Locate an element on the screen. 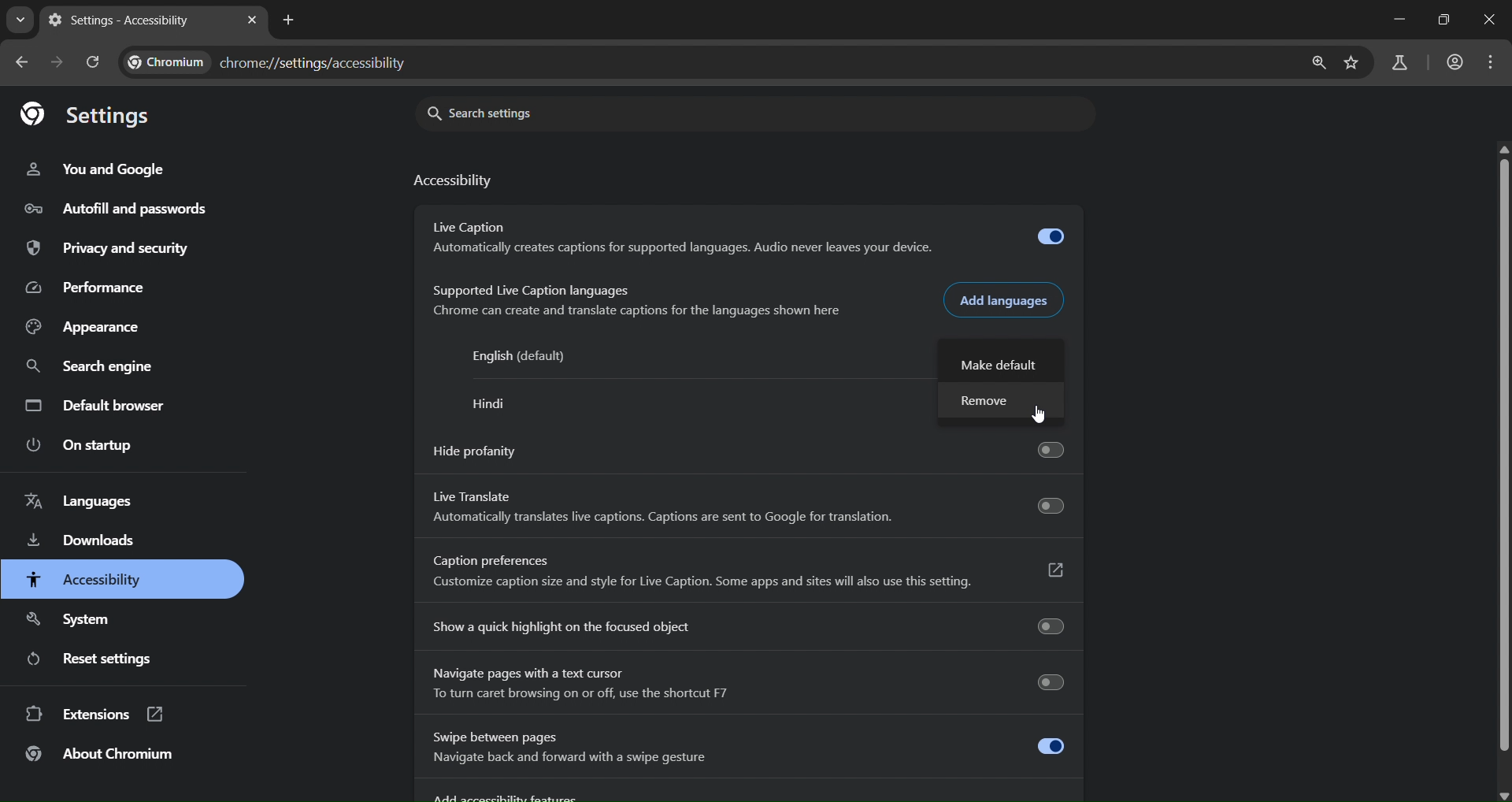 The width and height of the screenshot is (1512, 802). about chromium is located at coordinates (100, 755).